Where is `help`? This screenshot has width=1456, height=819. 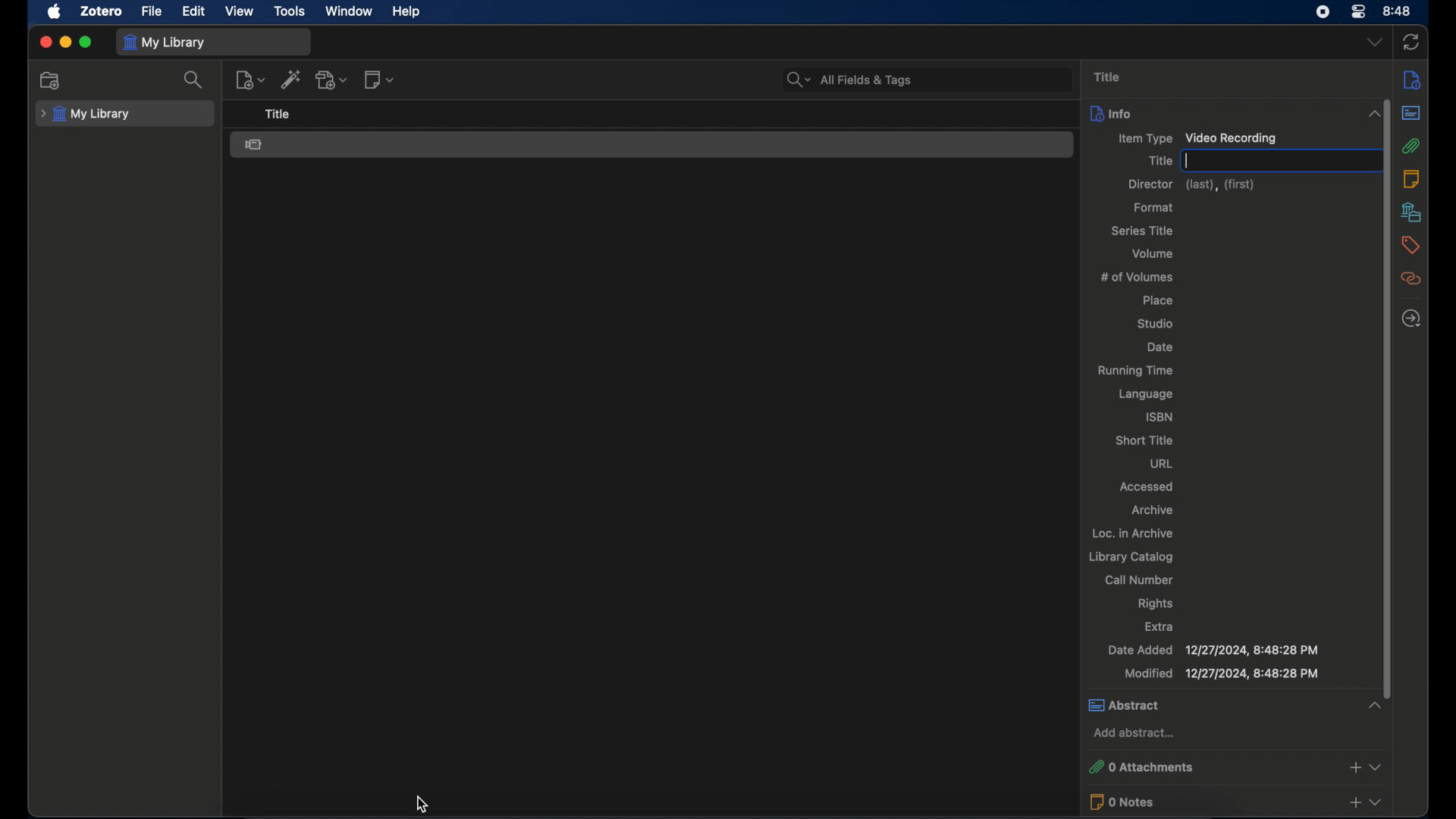 help is located at coordinates (408, 12).